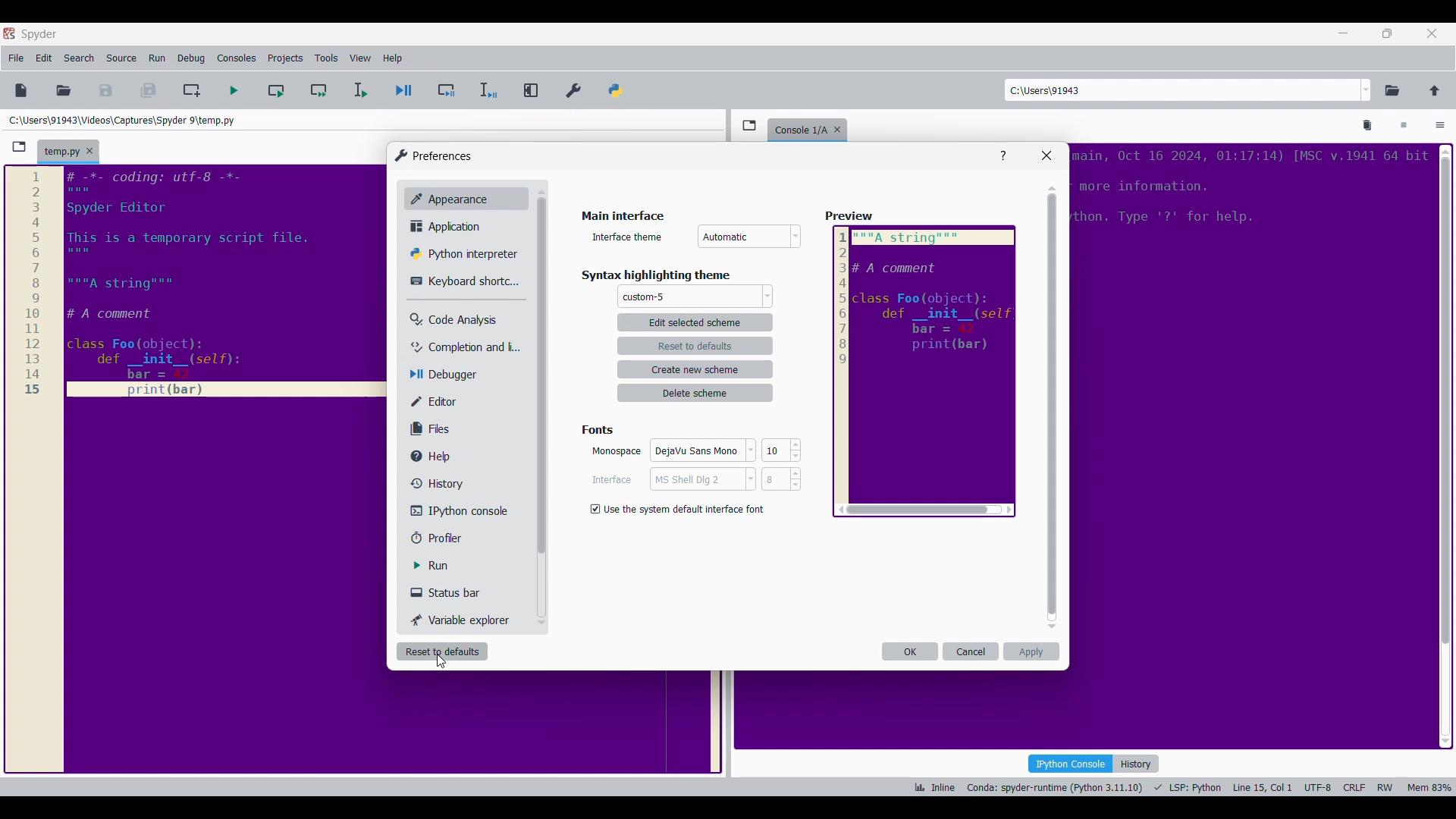 The image size is (1456, 819). What do you see at coordinates (1367, 90) in the screenshot?
I see `Location options` at bounding box center [1367, 90].